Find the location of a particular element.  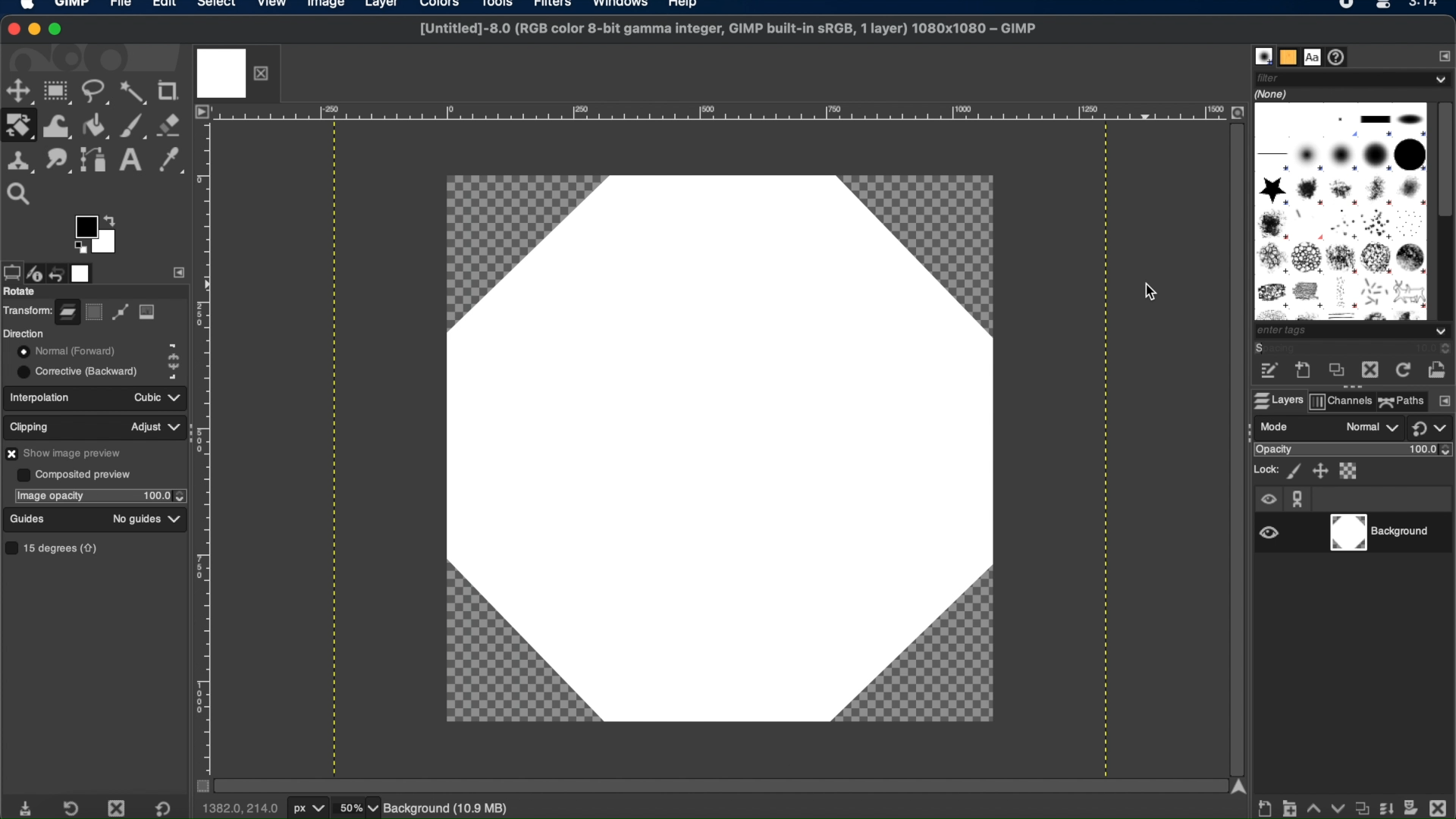

none is located at coordinates (1274, 93).